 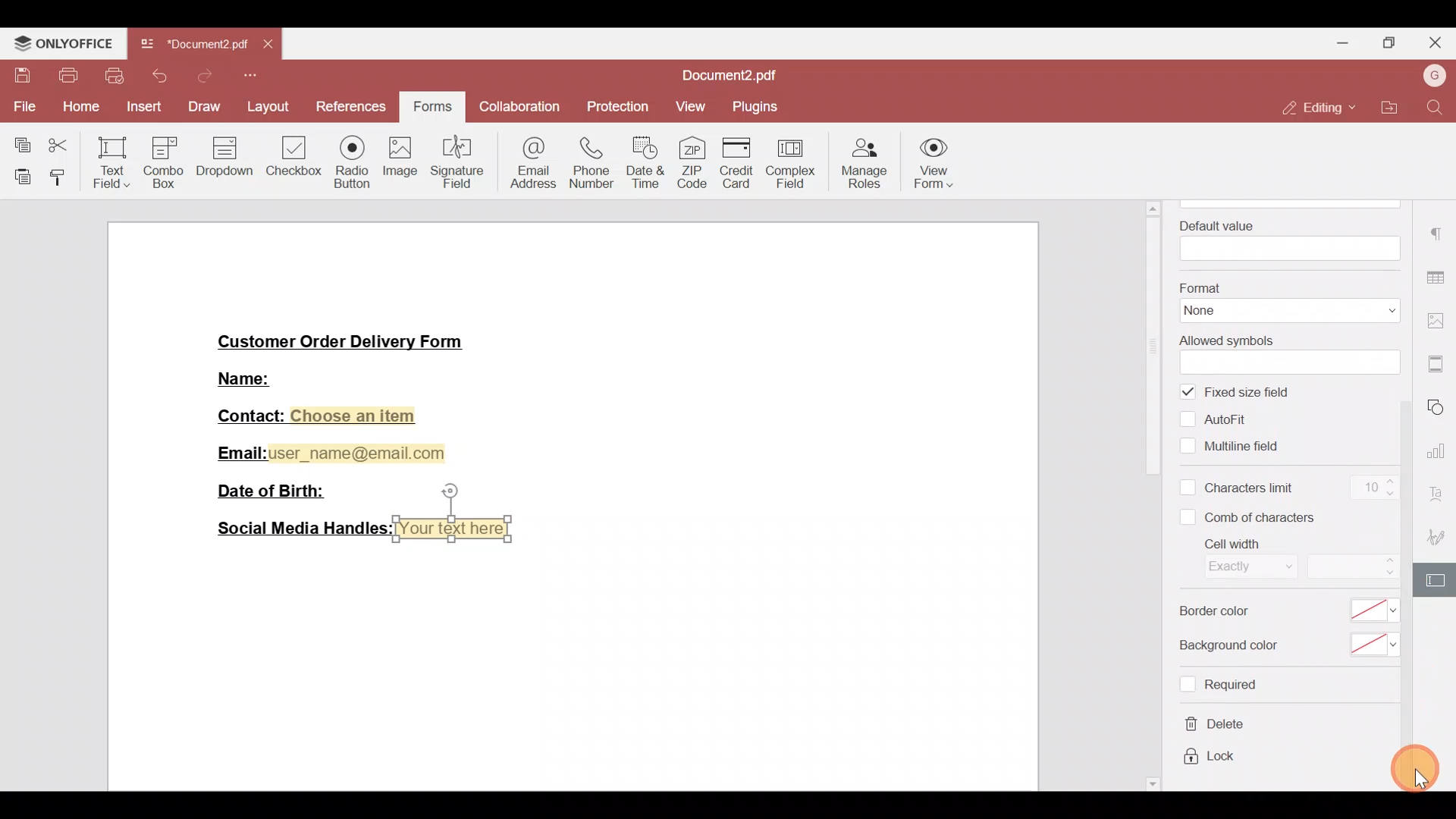 What do you see at coordinates (1316, 108) in the screenshot?
I see `Editing mode` at bounding box center [1316, 108].